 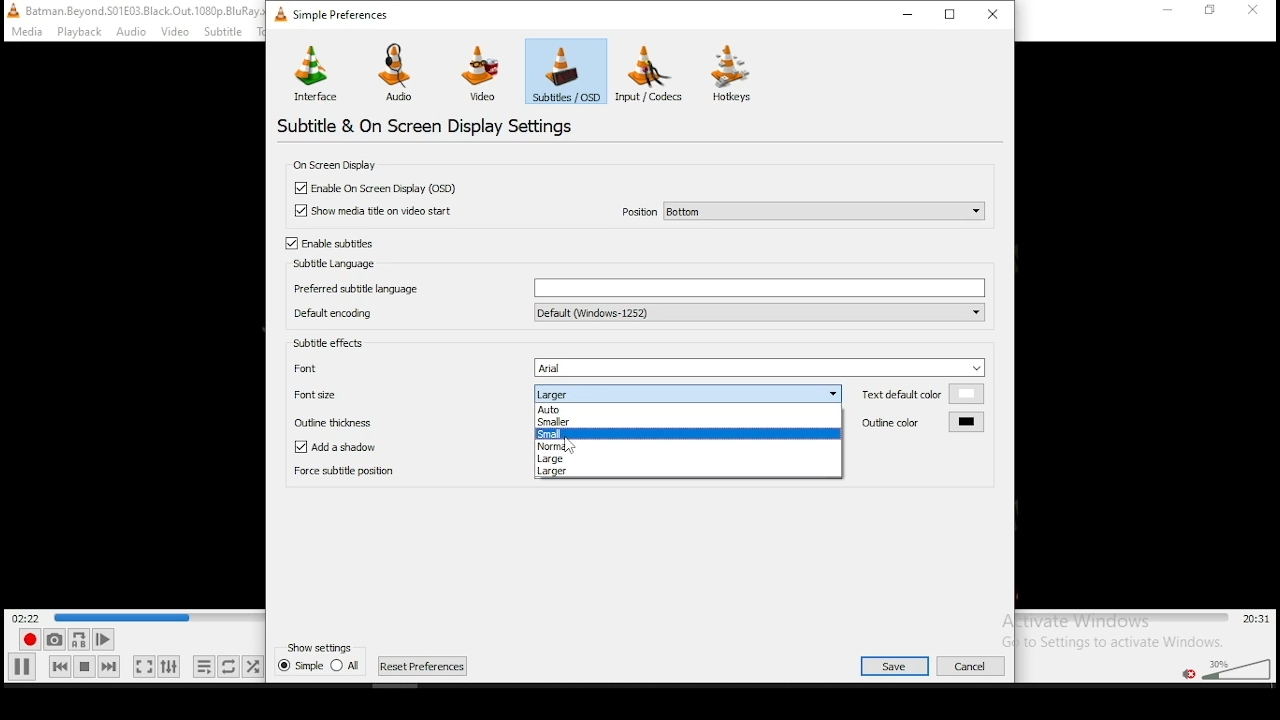 What do you see at coordinates (331, 345) in the screenshot?
I see `subtitle effects` at bounding box center [331, 345].